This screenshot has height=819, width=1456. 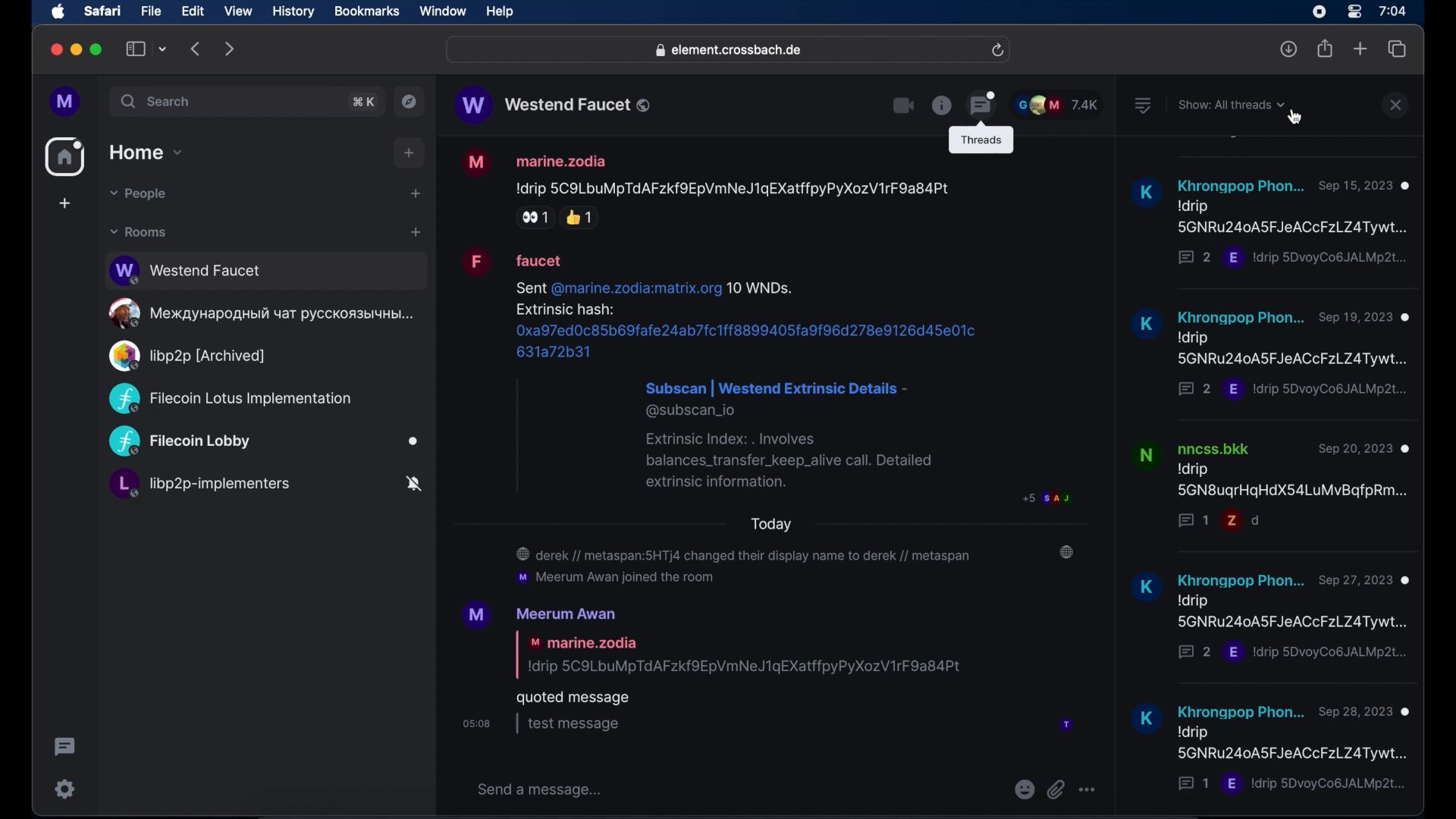 What do you see at coordinates (134, 49) in the screenshot?
I see `show tab overview` at bounding box center [134, 49].